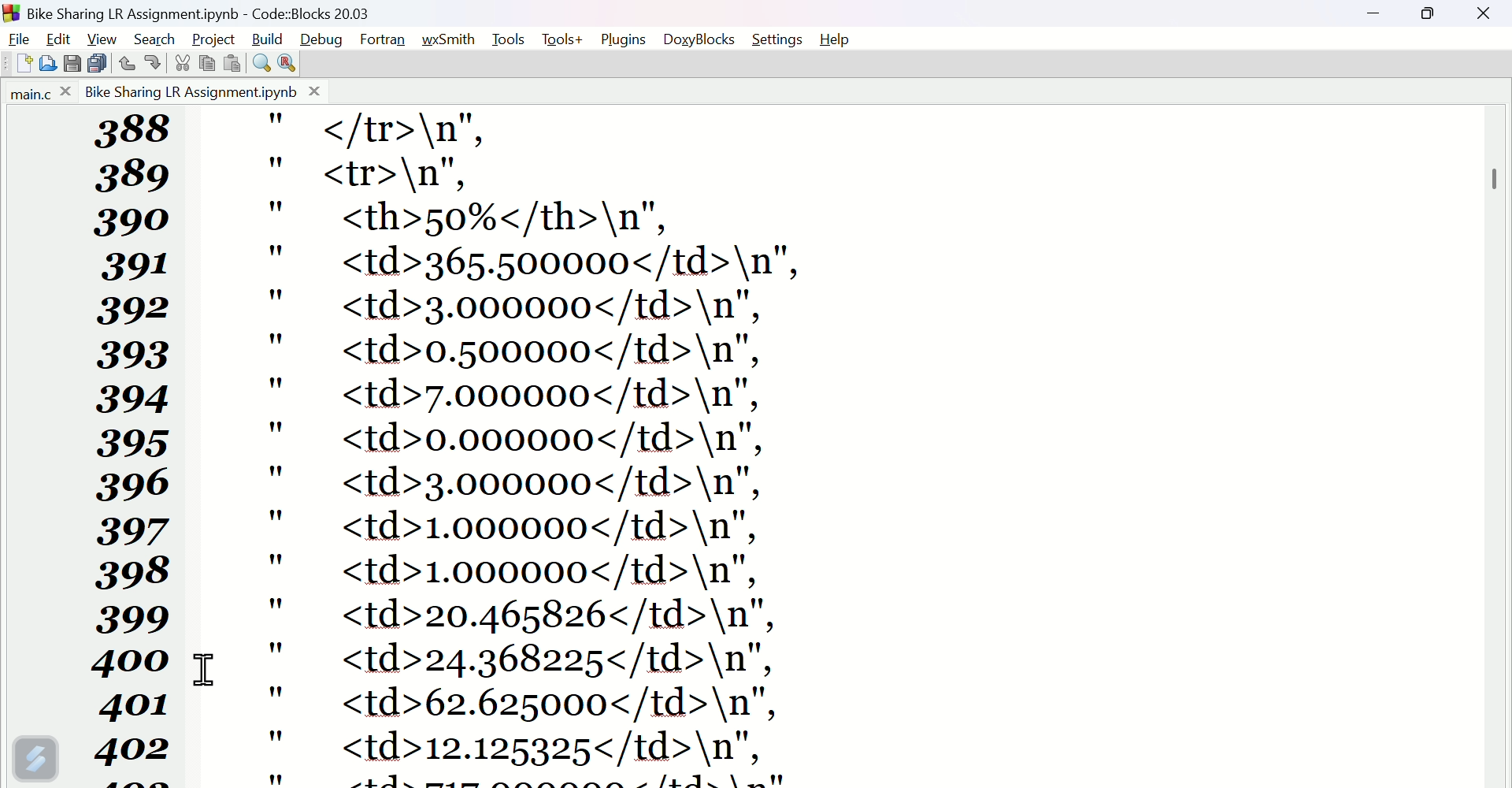  What do you see at coordinates (159, 36) in the screenshot?
I see `Search` at bounding box center [159, 36].